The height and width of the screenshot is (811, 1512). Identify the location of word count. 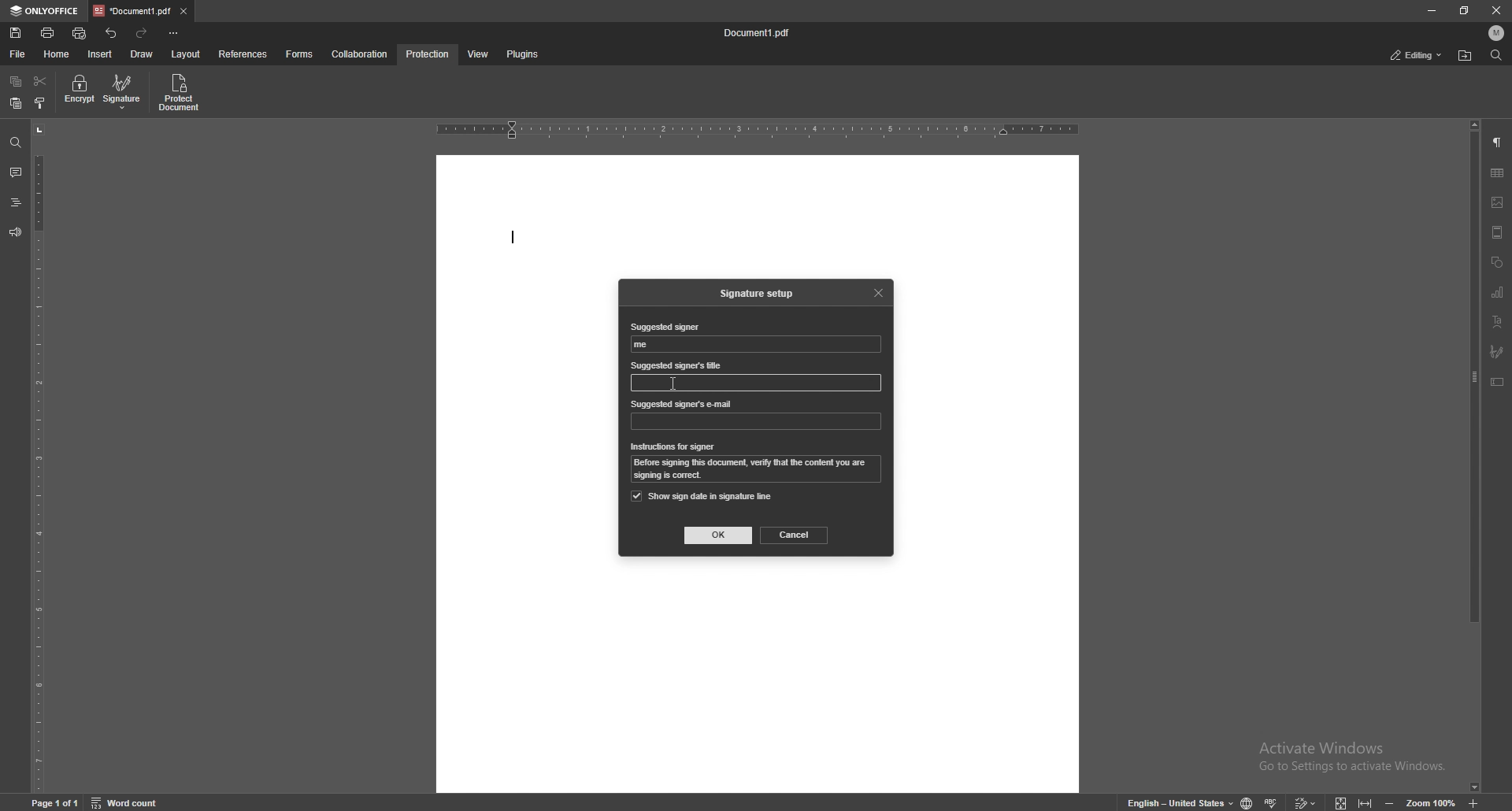
(135, 802).